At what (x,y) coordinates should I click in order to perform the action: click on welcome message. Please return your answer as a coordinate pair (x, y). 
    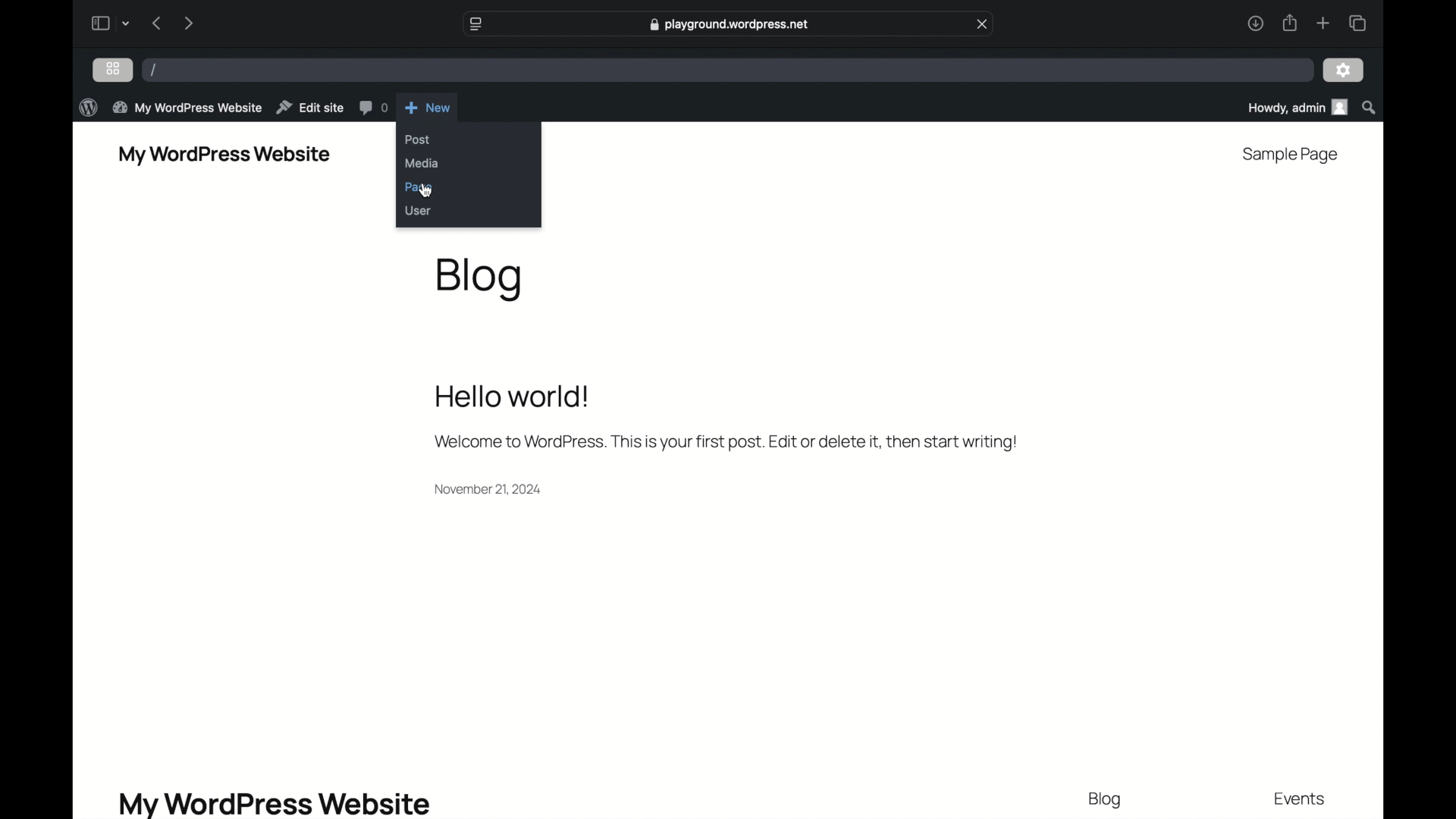
    Looking at the image, I should click on (724, 442).